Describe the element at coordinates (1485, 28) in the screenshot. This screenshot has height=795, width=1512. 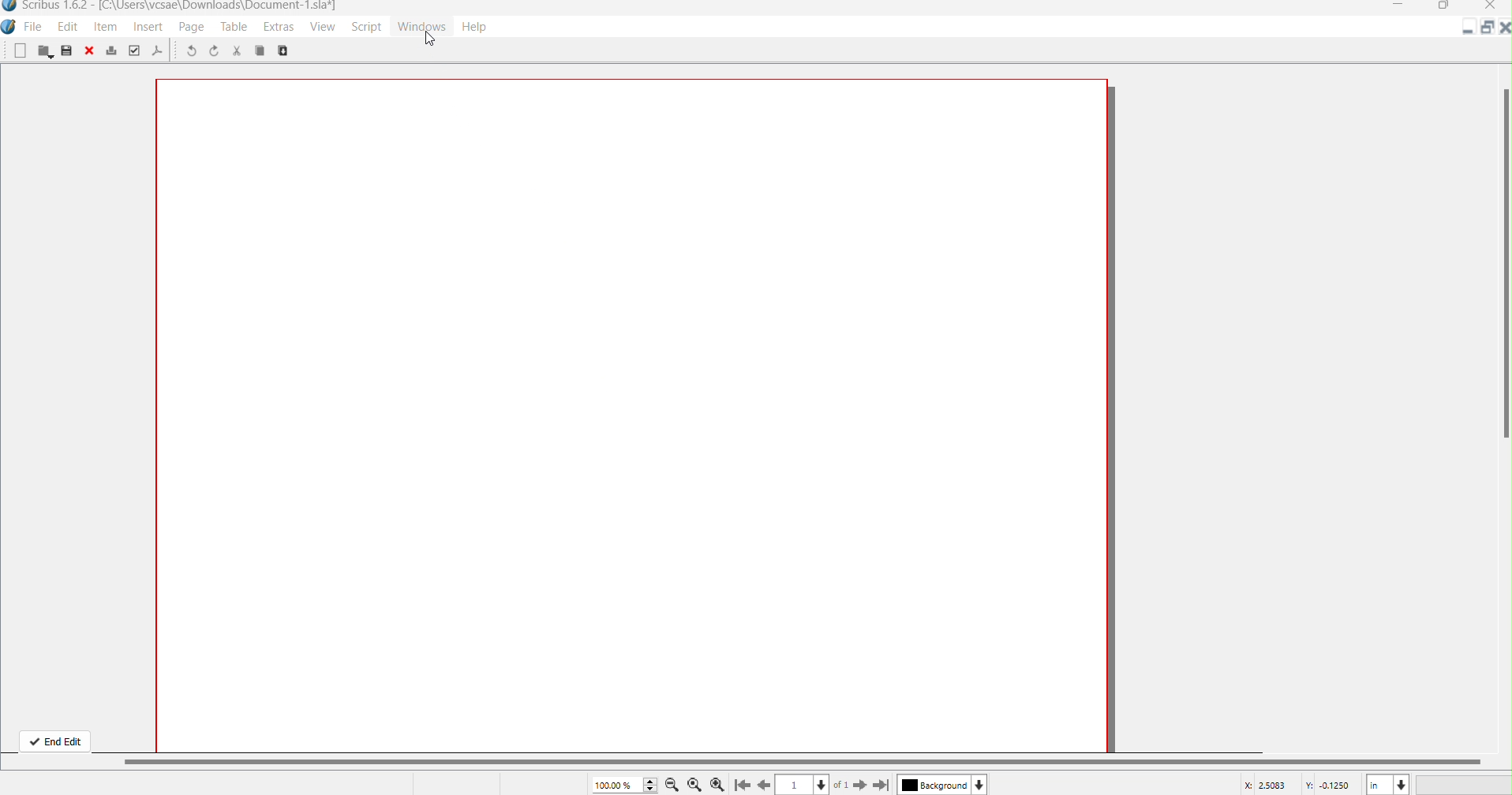
I see `maximize` at that location.